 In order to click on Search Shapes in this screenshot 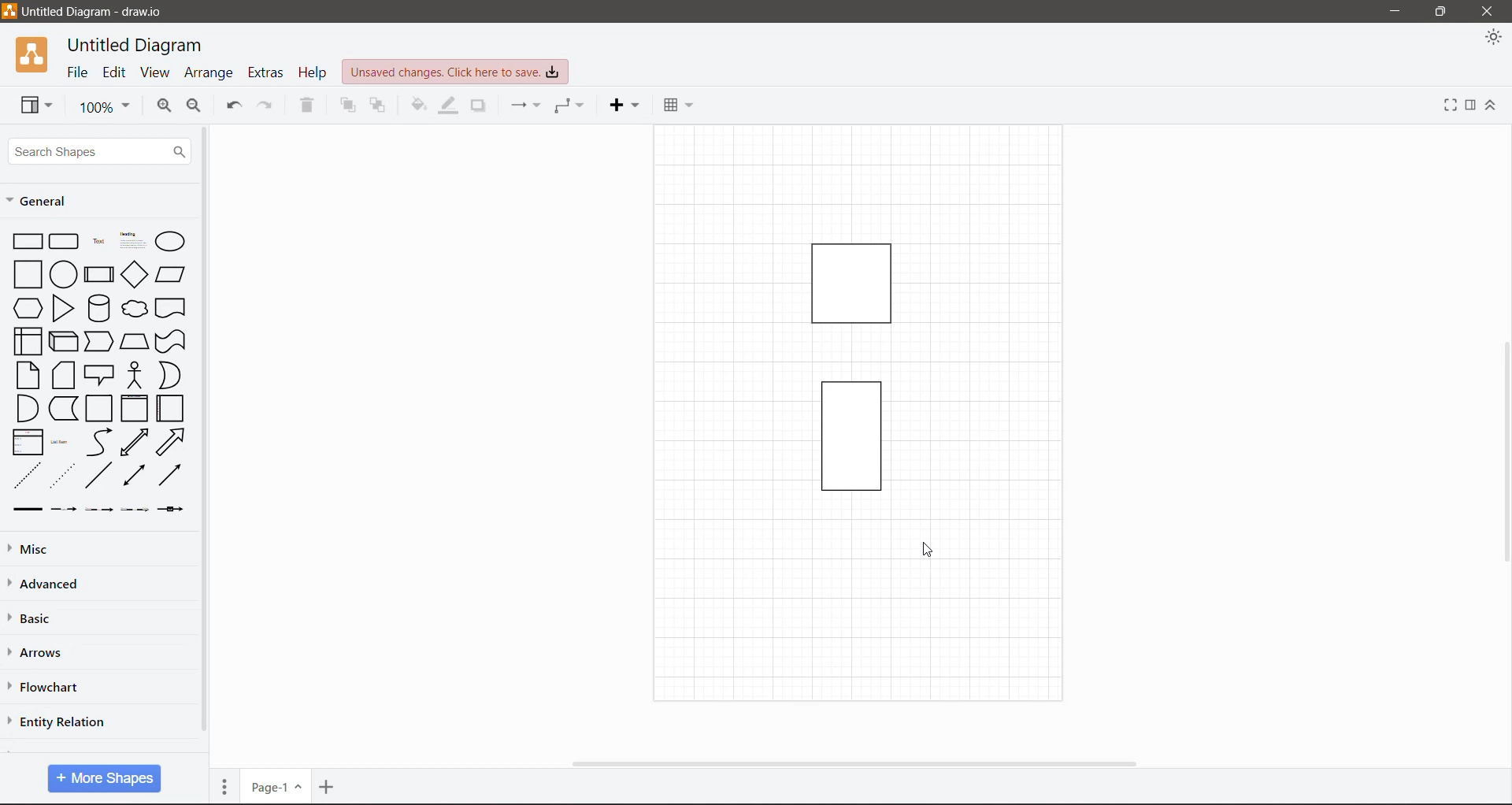, I will do `click(98, 150)`.